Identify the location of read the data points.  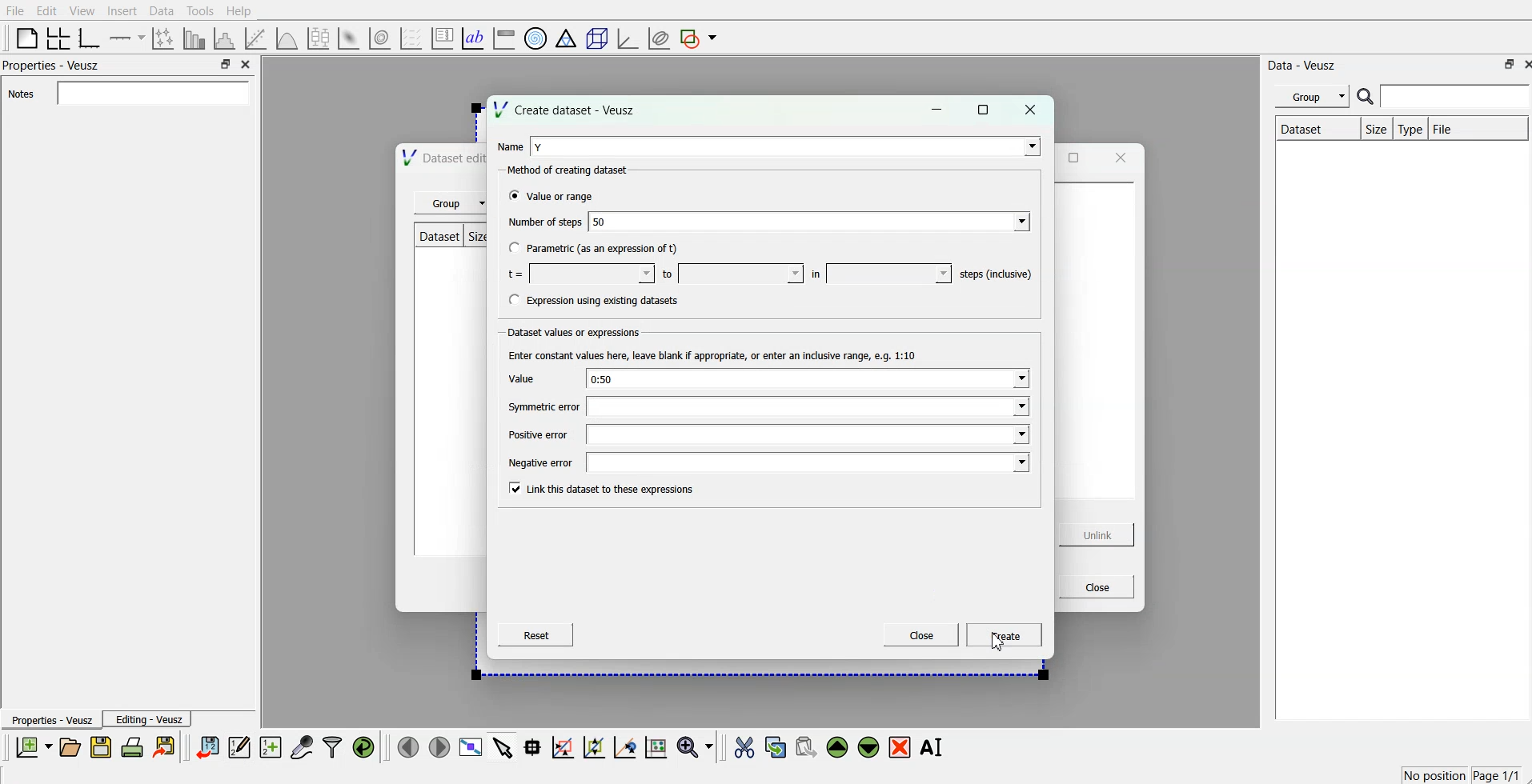
(535, 749).